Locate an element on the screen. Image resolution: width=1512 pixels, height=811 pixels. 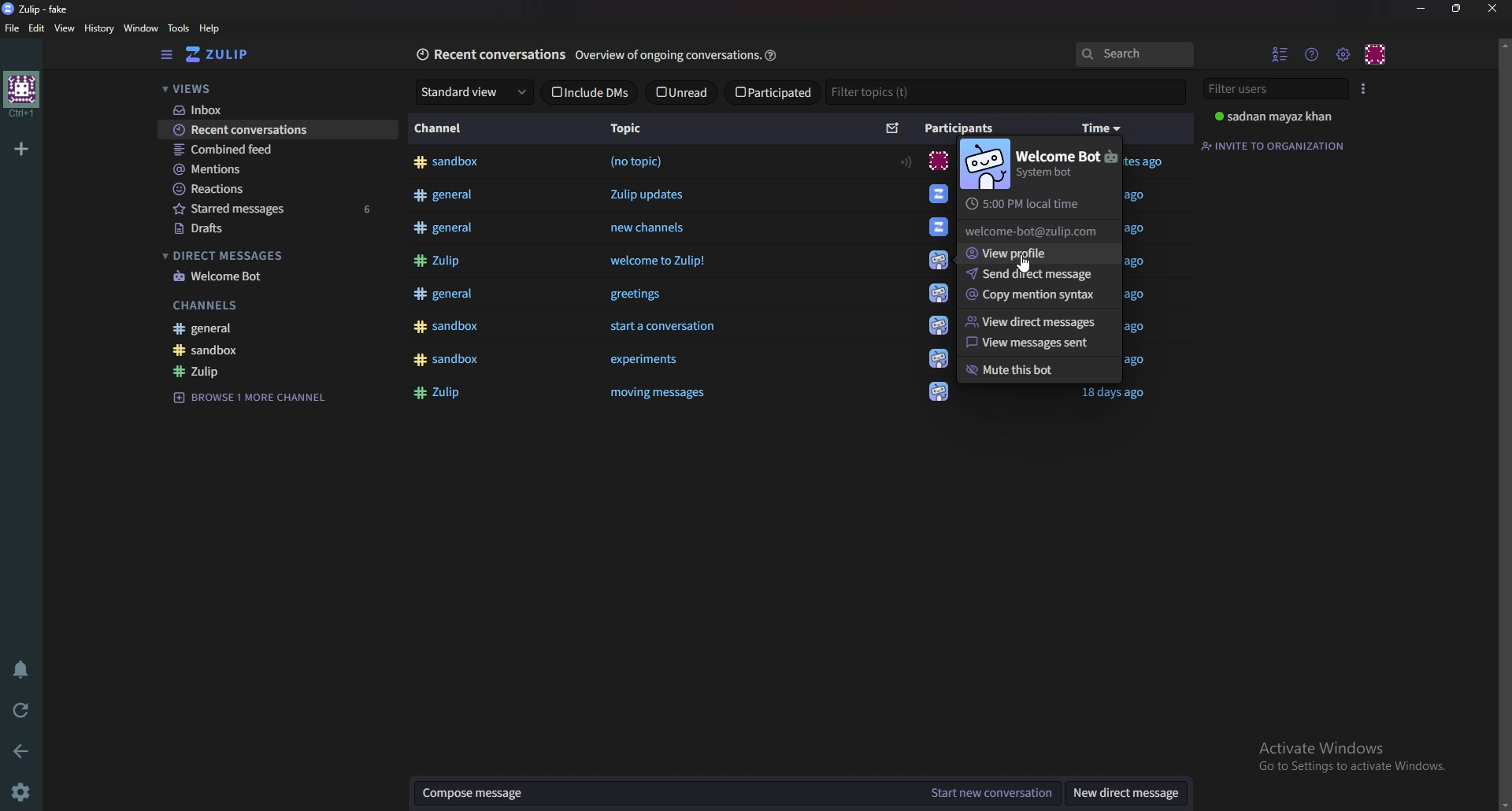
icon is located at coordinates (936, 196).